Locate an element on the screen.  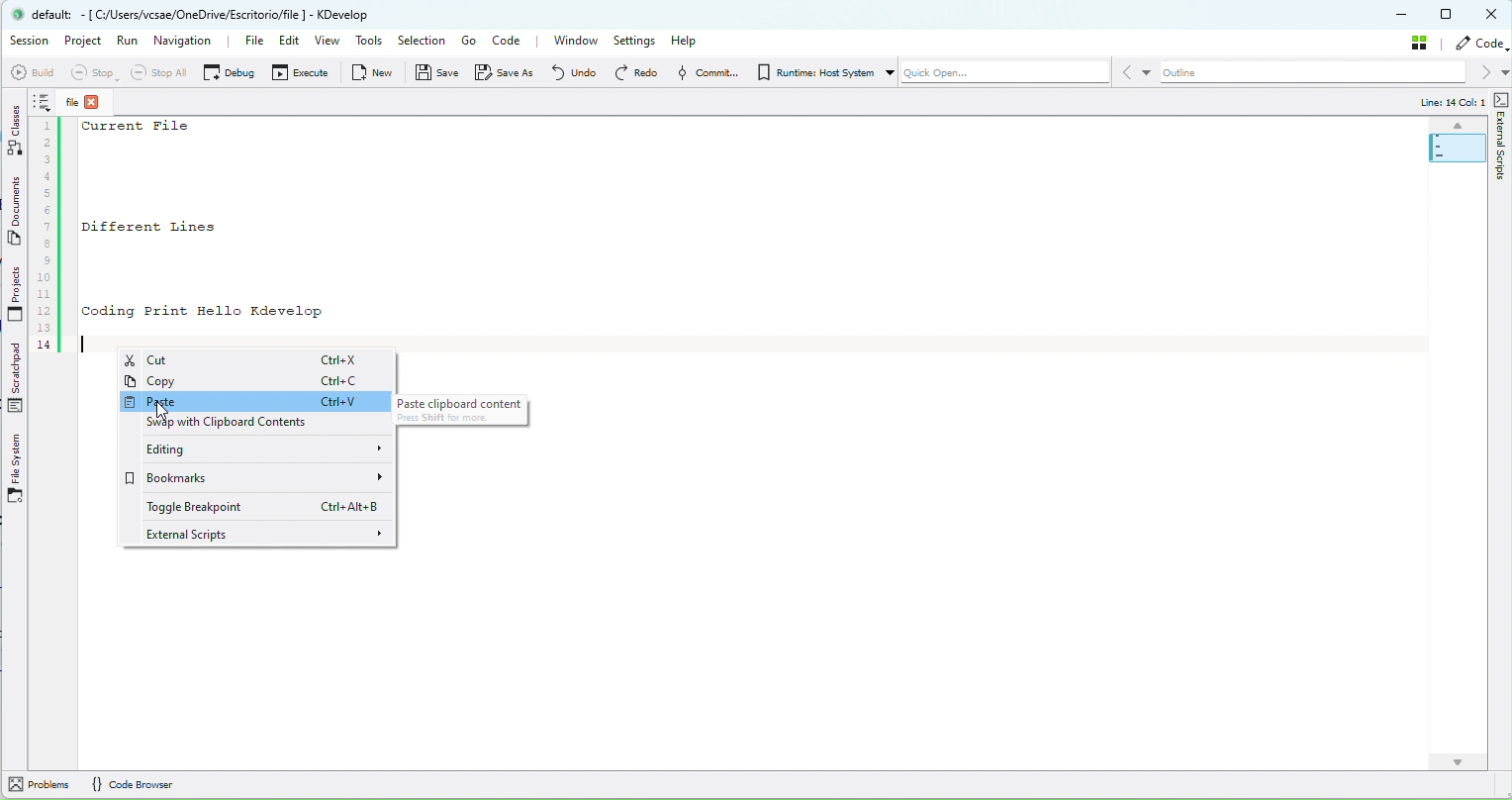
Quick Open is located at coordinates (996, 75).